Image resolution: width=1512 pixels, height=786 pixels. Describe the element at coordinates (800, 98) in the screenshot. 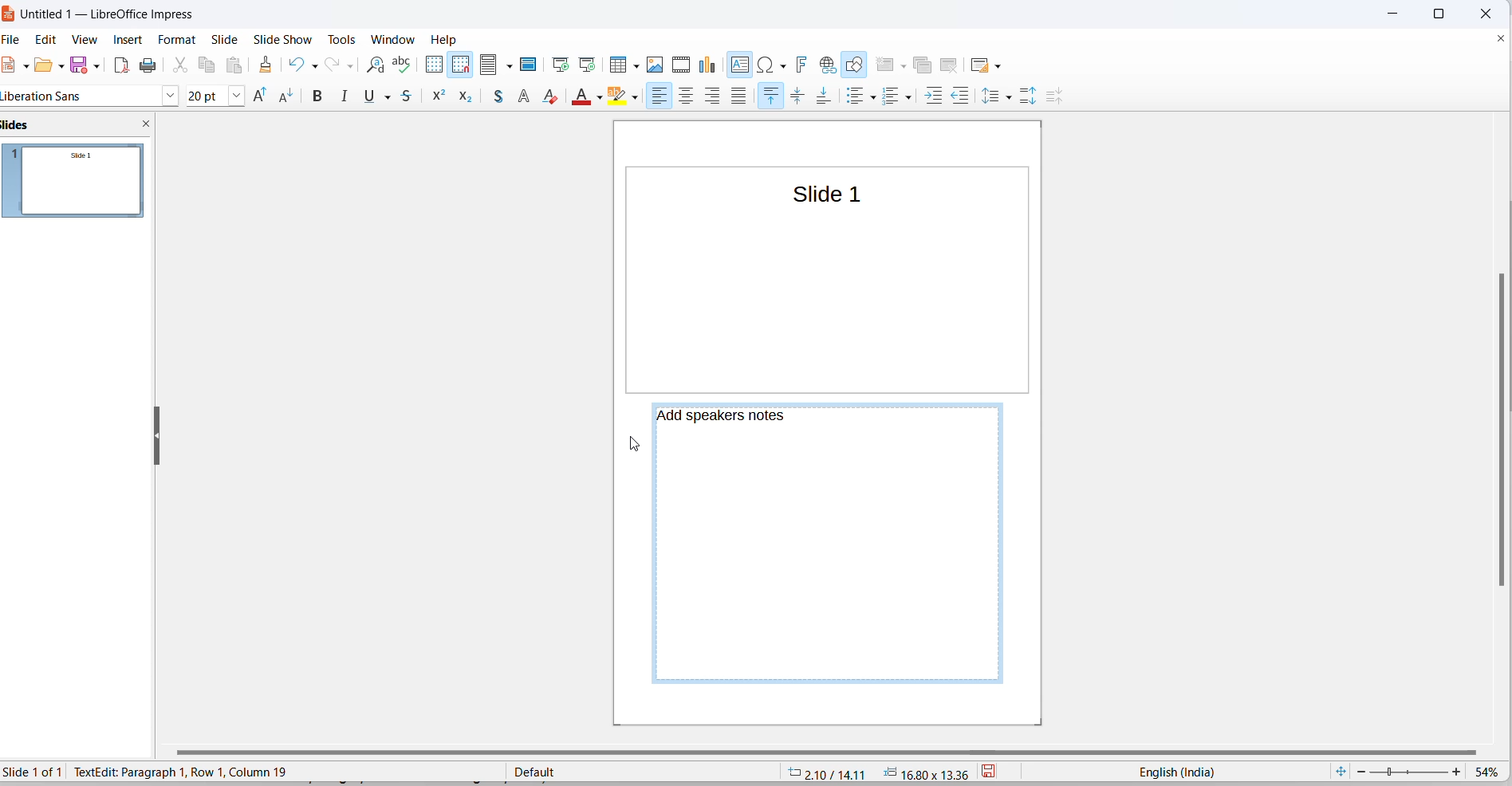

I see `filters options` at that location.